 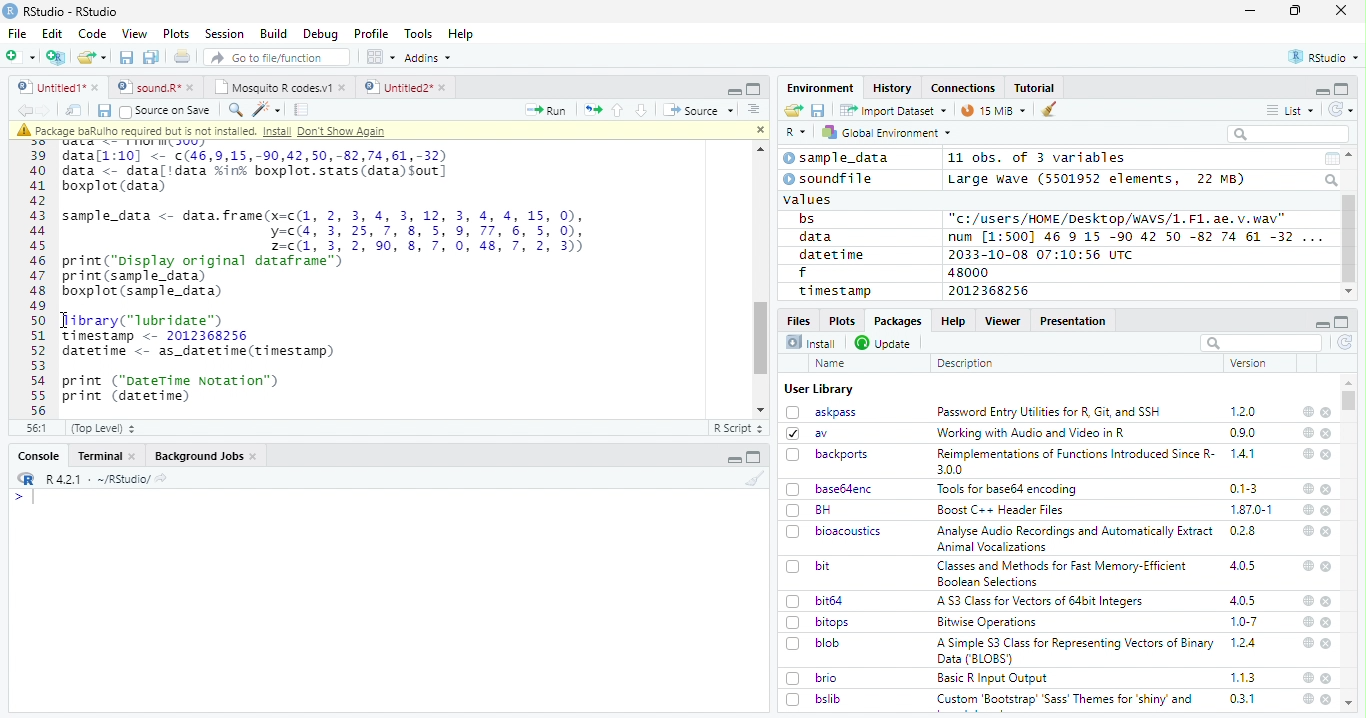 I want to click on typing cursor, so click(x=24, y=497).